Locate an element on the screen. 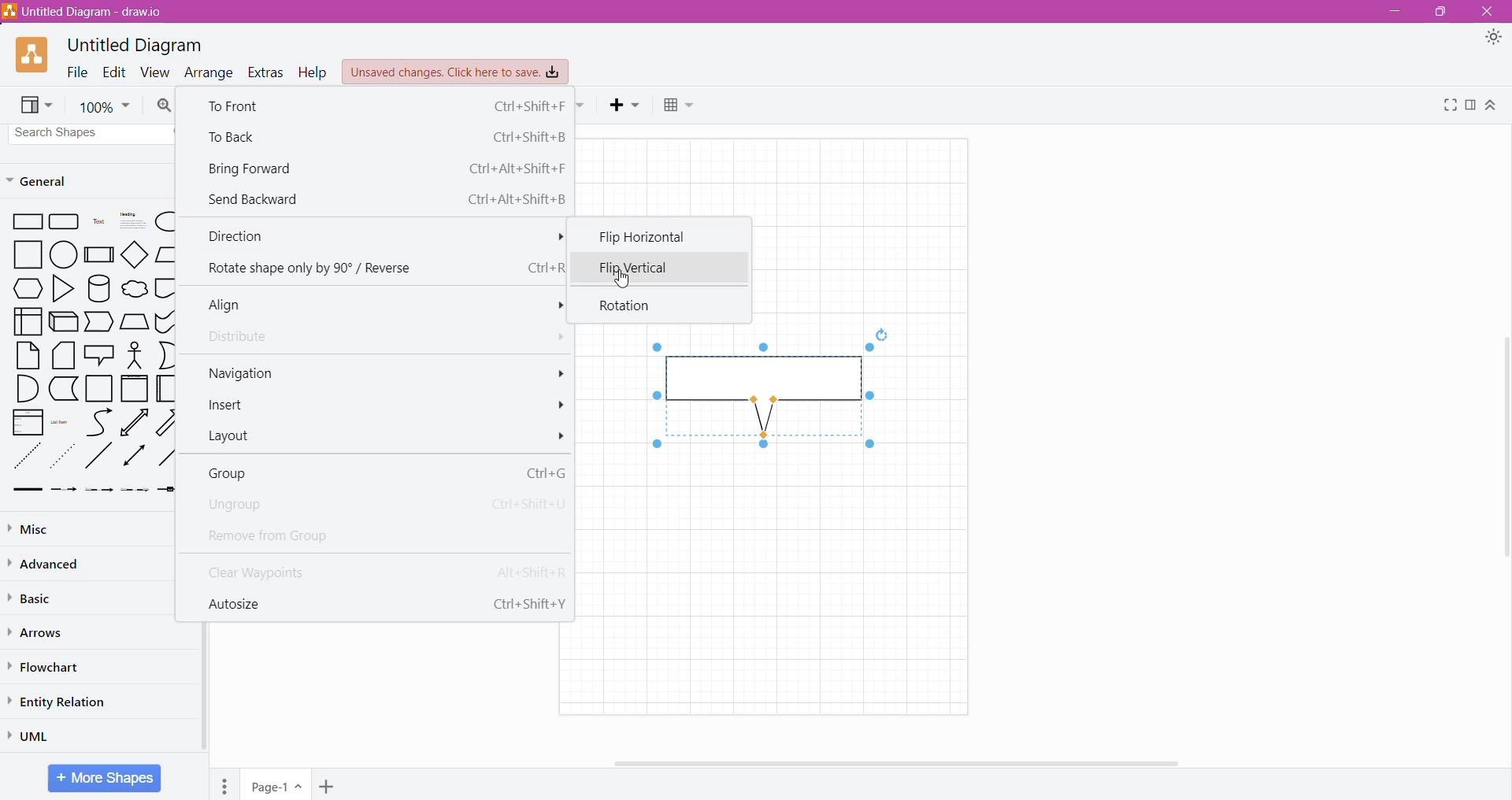 Image resolution: width=1512 pixels, height=800 pixels. Restore Down is located at coordinates (1439, 12).